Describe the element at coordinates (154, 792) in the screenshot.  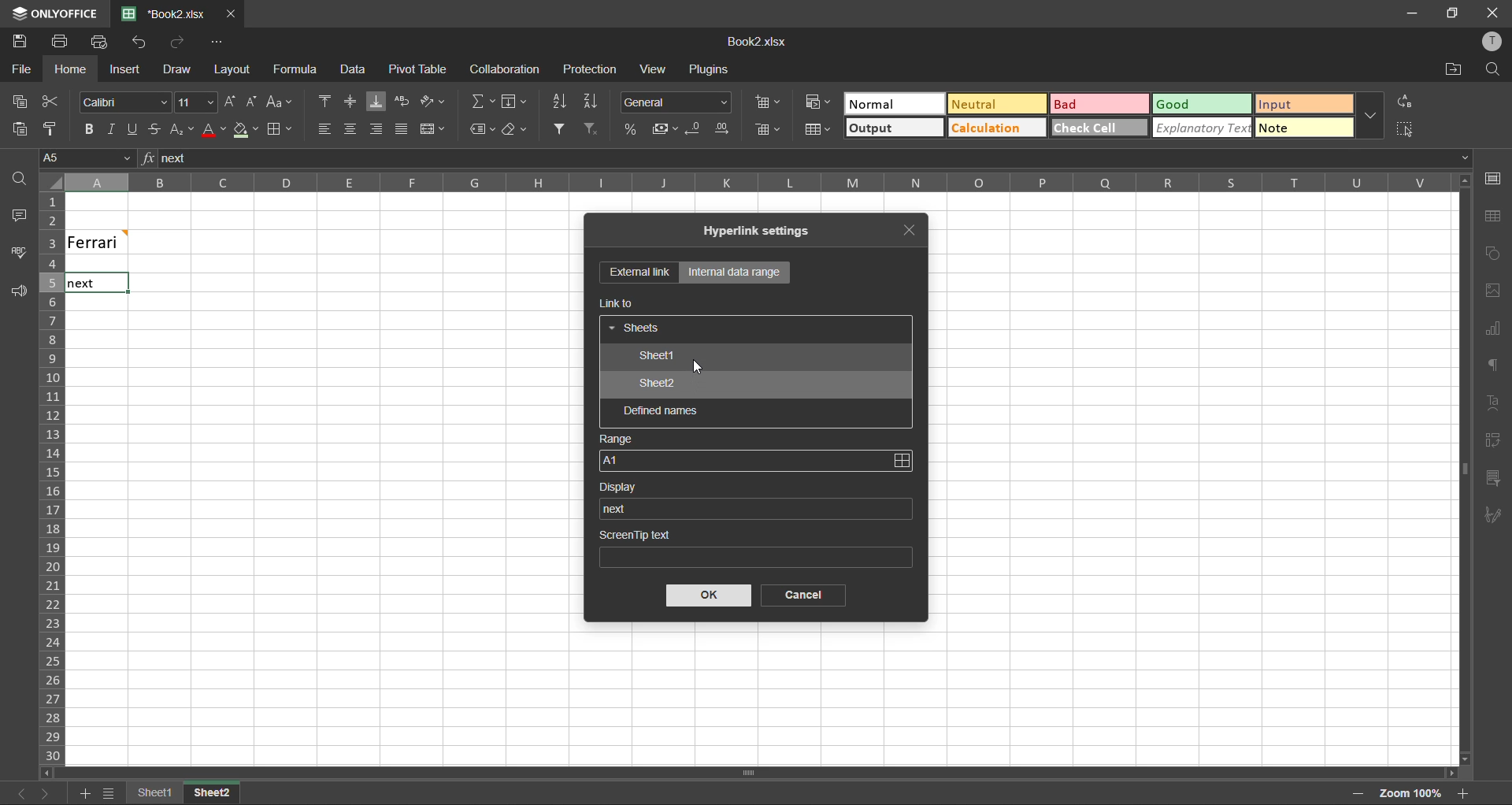
I see `freeze panes` at that location.